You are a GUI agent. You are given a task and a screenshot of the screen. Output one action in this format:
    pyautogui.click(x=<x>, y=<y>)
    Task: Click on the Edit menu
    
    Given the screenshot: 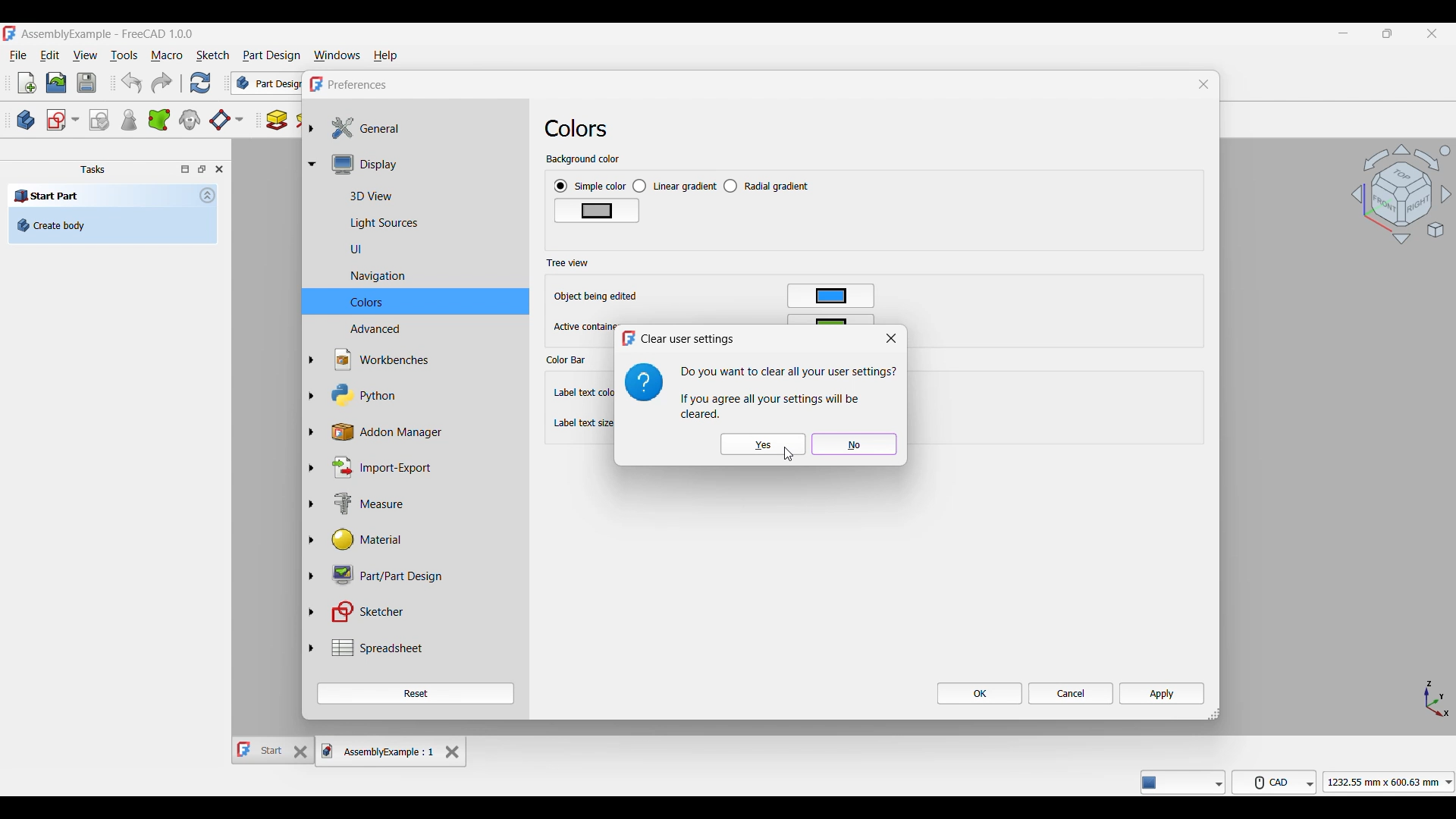 What is the action you would take?
    pyautogui.click(x=50, y=55)
    